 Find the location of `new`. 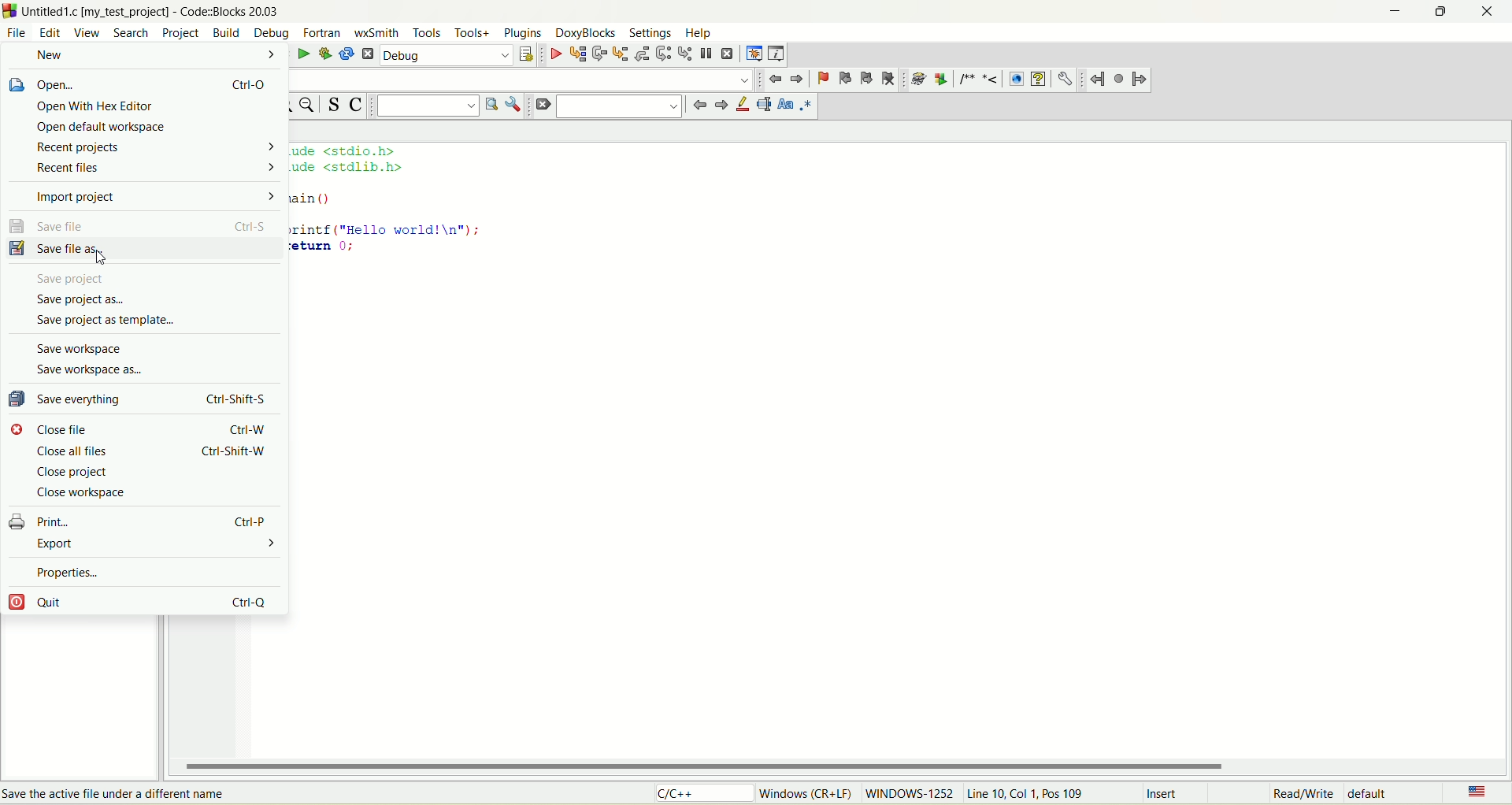

new is located at coordinates (157, 56).